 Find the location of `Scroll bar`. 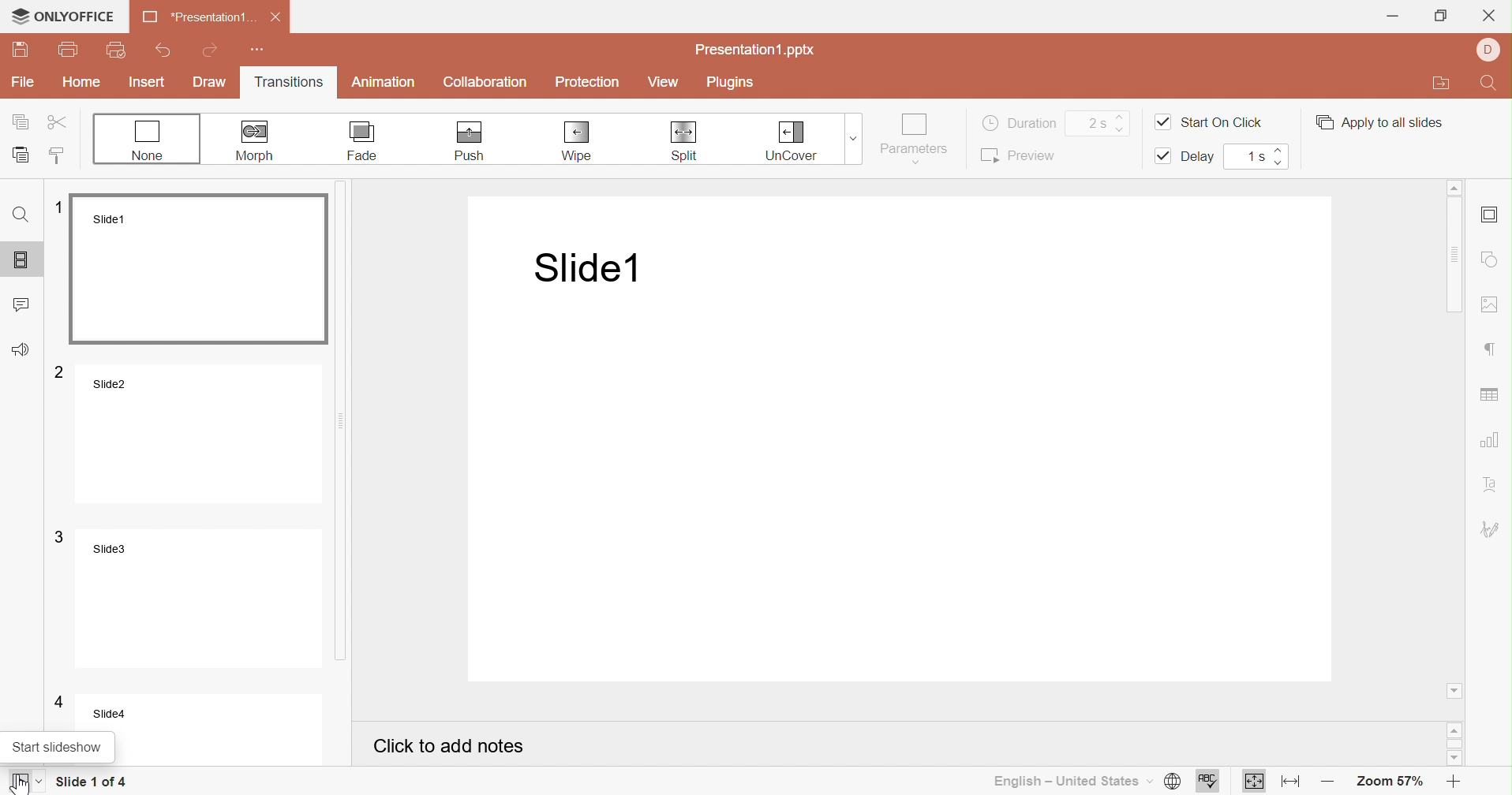

Scroll bar is located at coordinates (1458, 255).